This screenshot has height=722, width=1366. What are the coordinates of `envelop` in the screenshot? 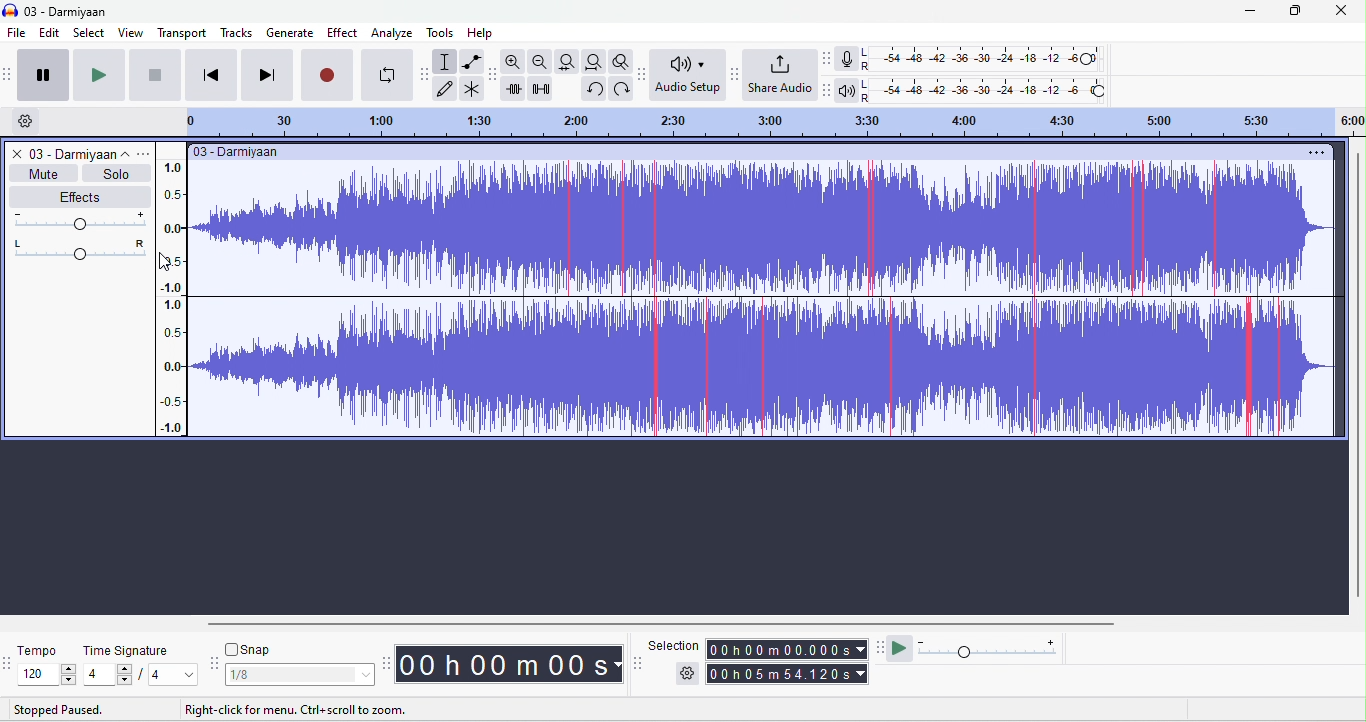 It's located at (471, 62).